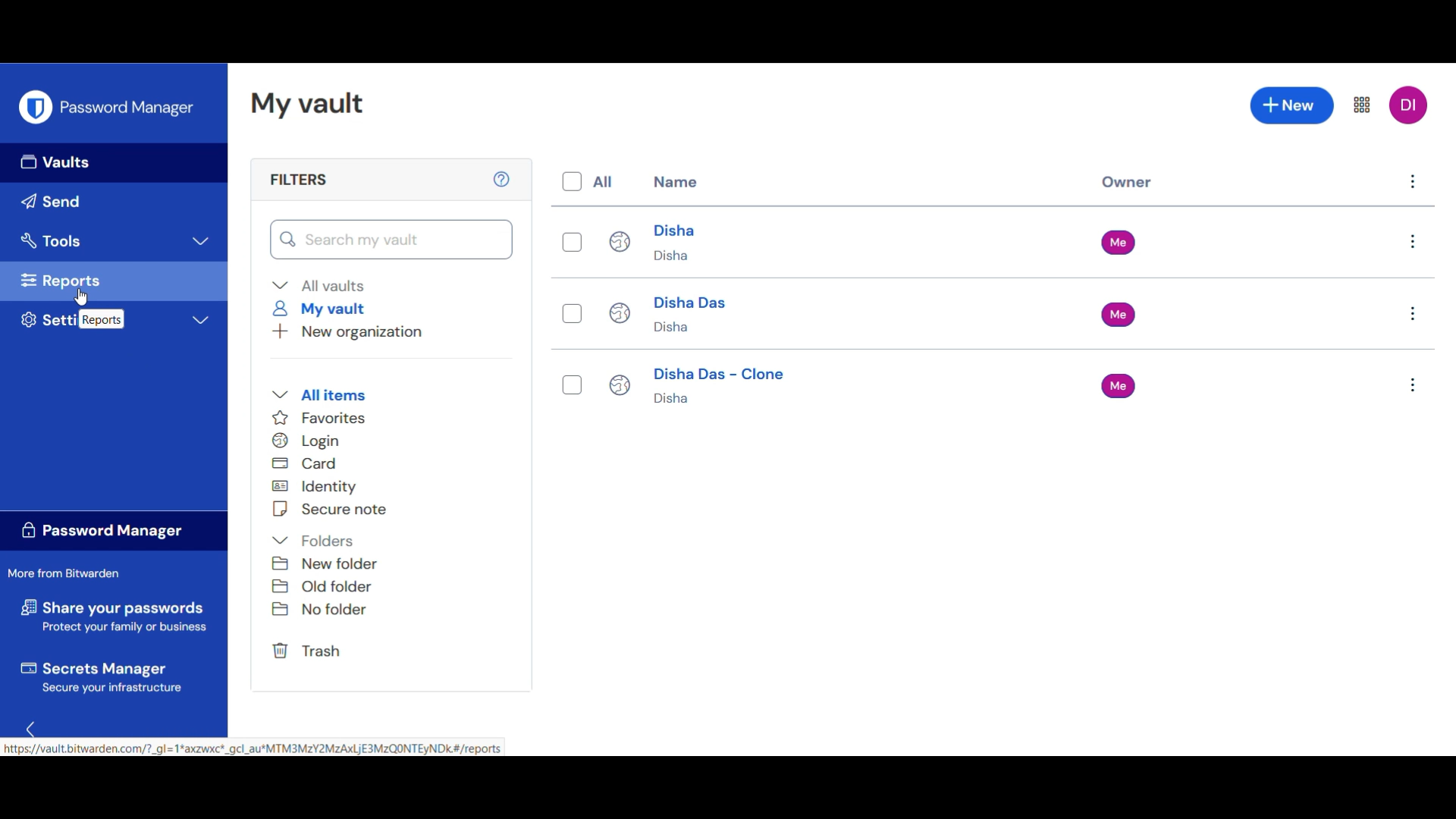  Describe the element at coordinates (1411, 388) in the screenshot. I see `entry menu` at that location.